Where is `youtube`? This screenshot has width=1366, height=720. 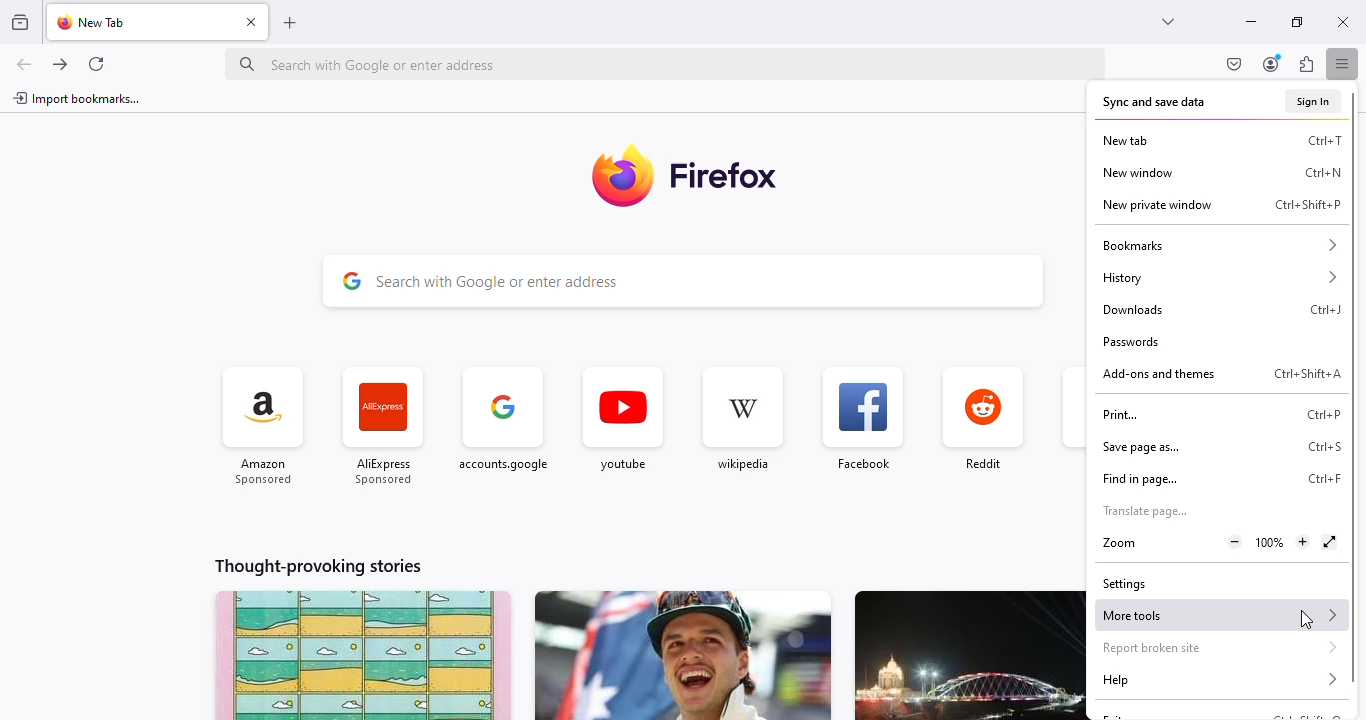 youtube is located at coordinates (622, 421).